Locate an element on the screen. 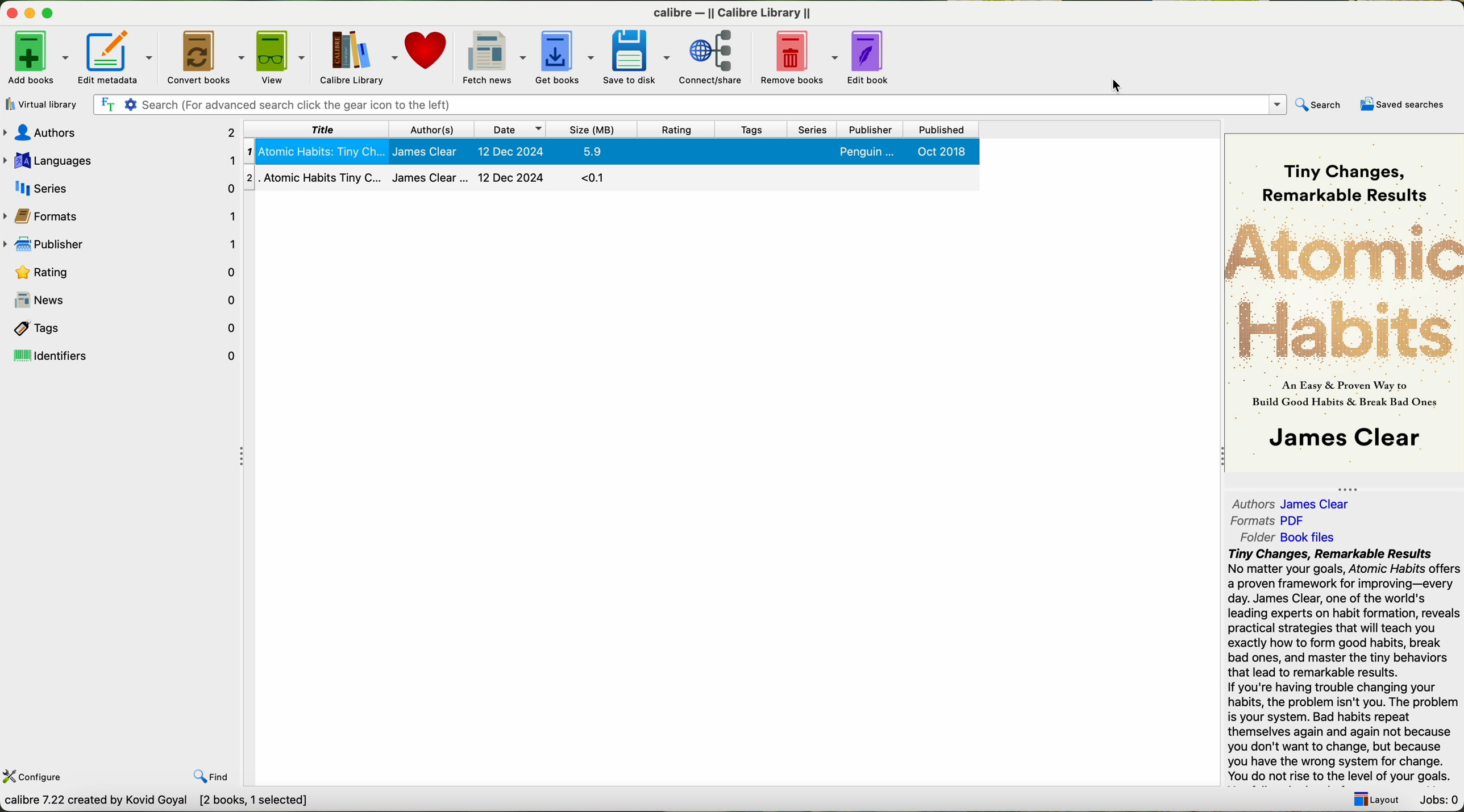 The width and height of the screenshot is (1464, 812). connect/share is located at coordinates (716, 57).